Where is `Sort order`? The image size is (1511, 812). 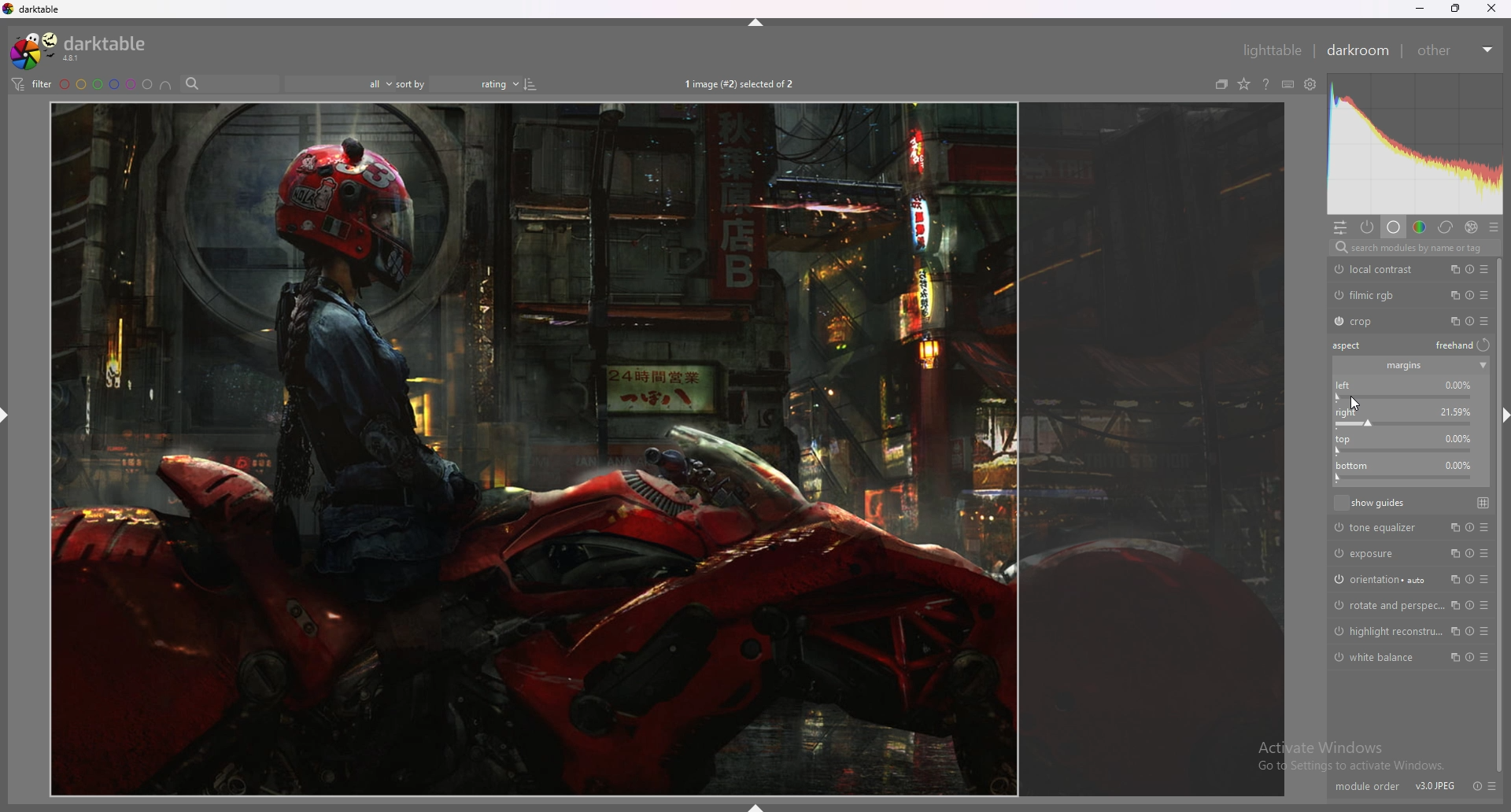
Sort order is located at coordinates (485, 83).